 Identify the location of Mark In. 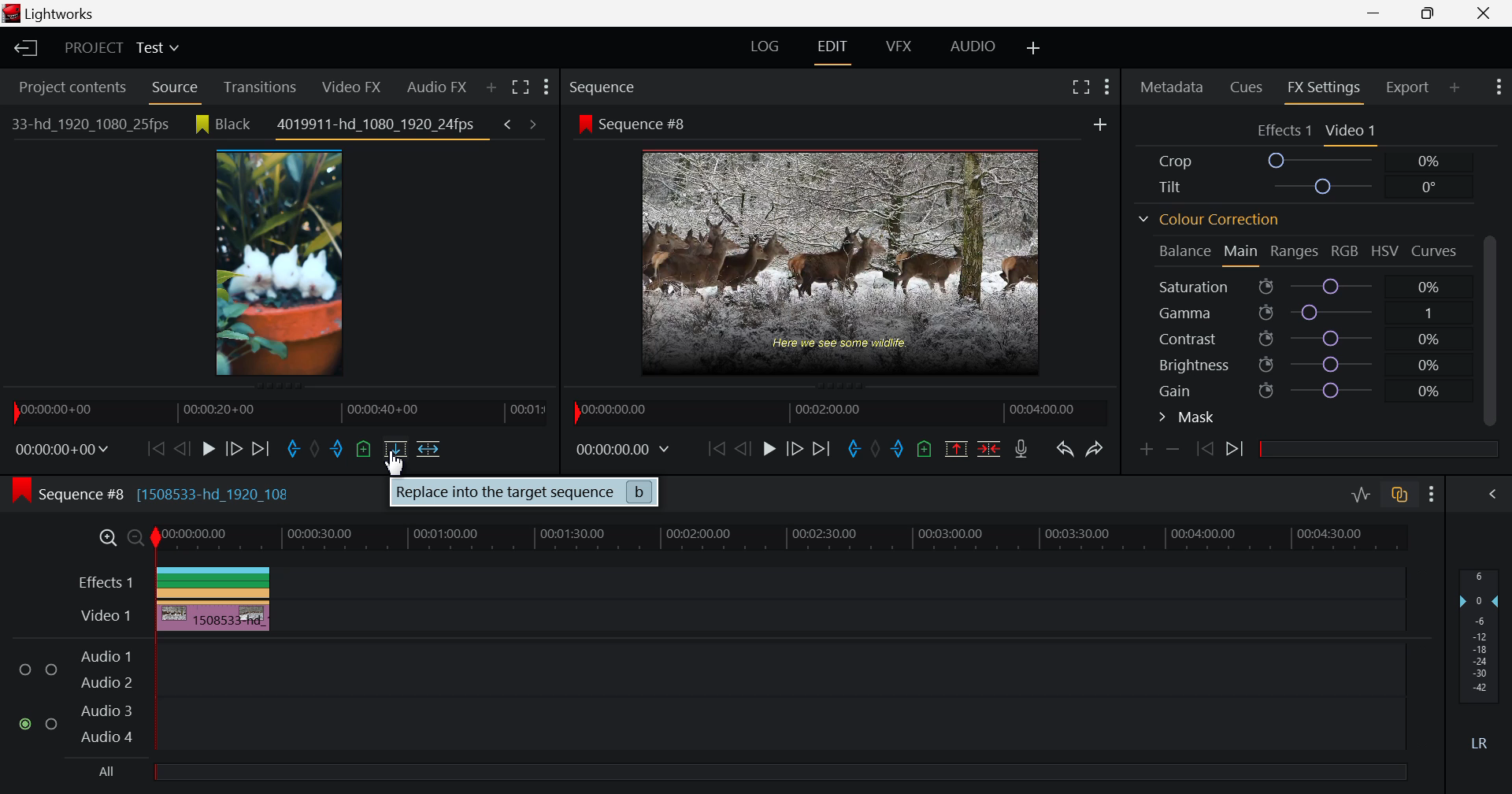
(292, 449).